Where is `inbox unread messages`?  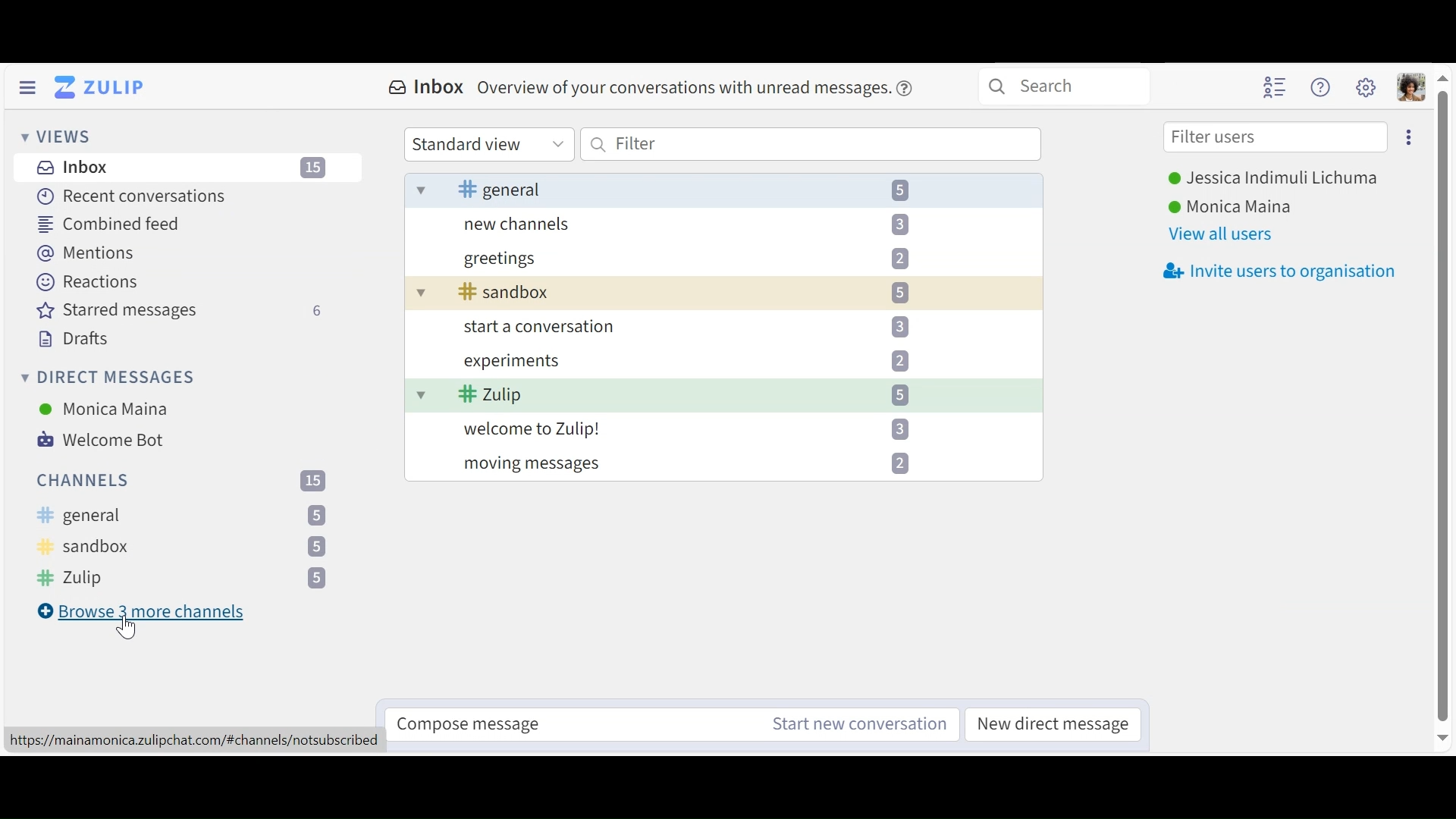
inbox unread messages is located at coordinates (730, 259).